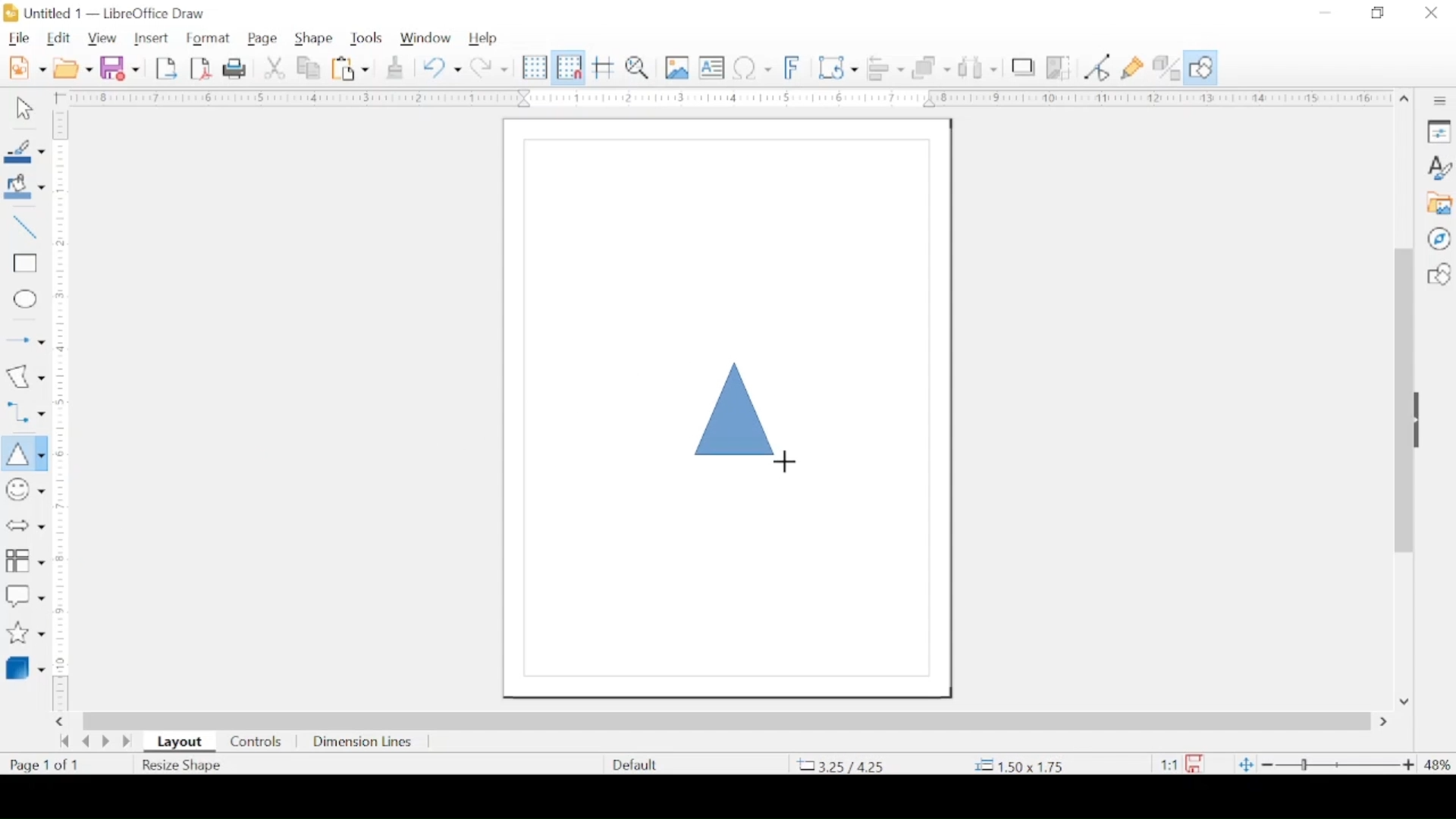 This screenshot has height=819, width=1456. Describe the element at coordinates (1244, 766) in the screenshot. I see `fit to current window` at that location.